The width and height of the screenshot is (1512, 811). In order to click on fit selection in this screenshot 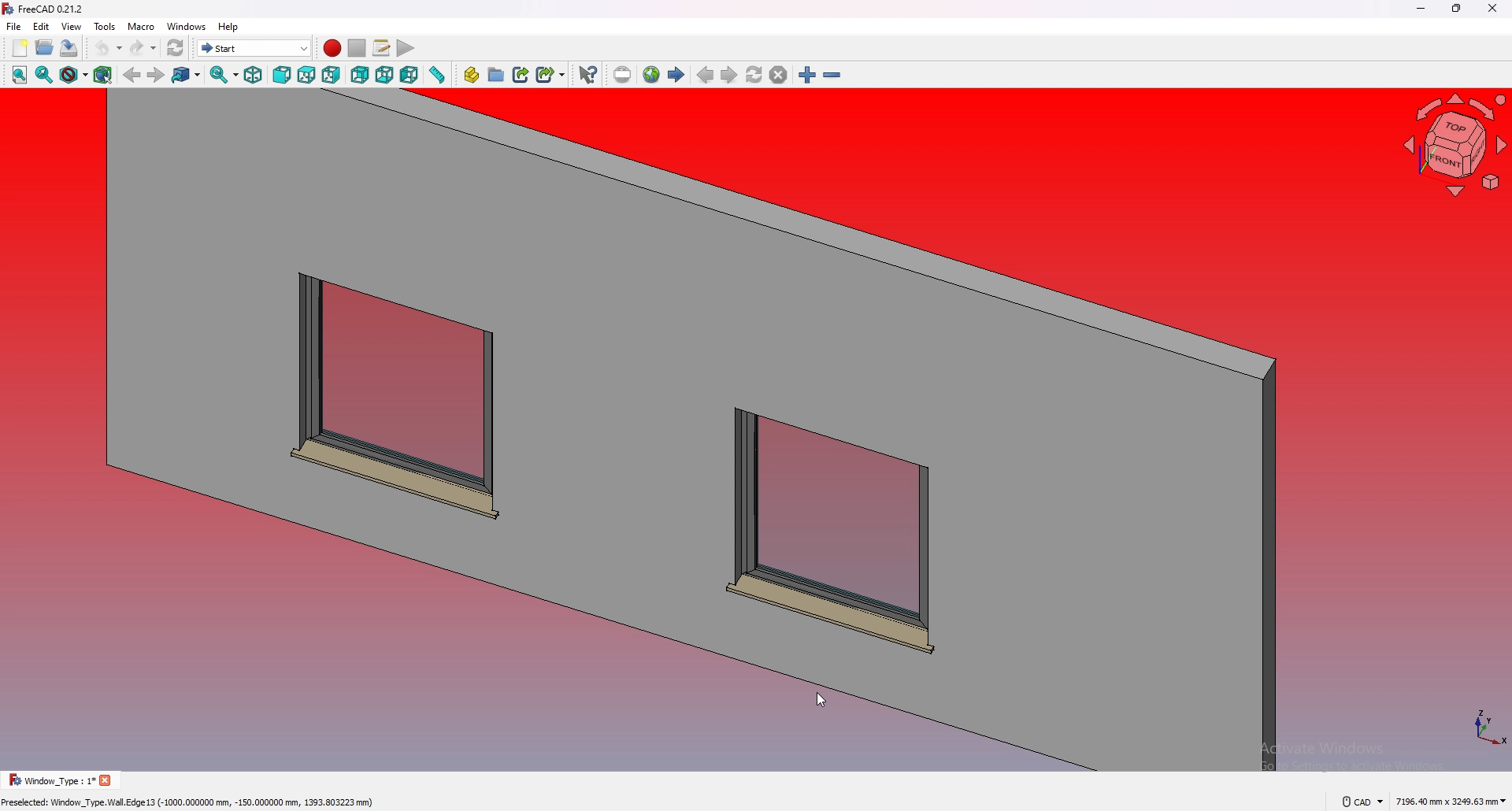, I will do `click(44, 75)`.